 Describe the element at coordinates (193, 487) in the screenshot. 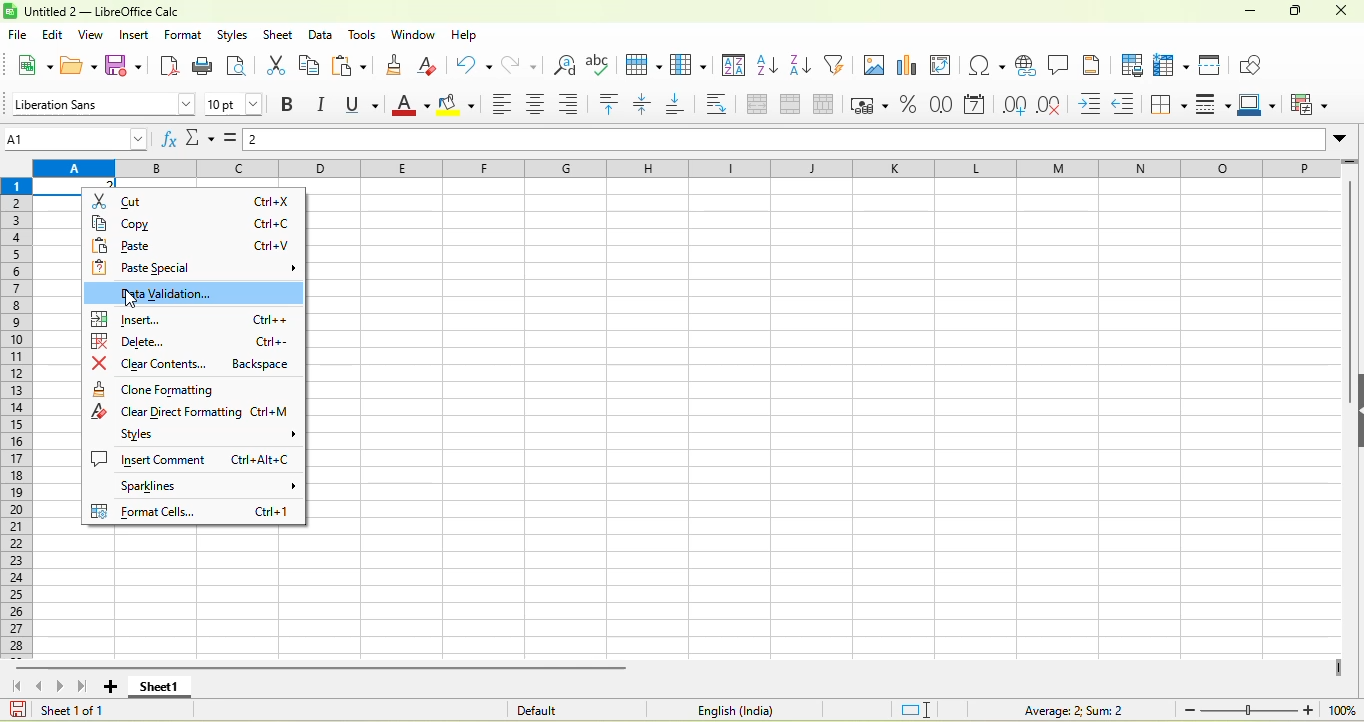

I see `spsrklines` at that location.